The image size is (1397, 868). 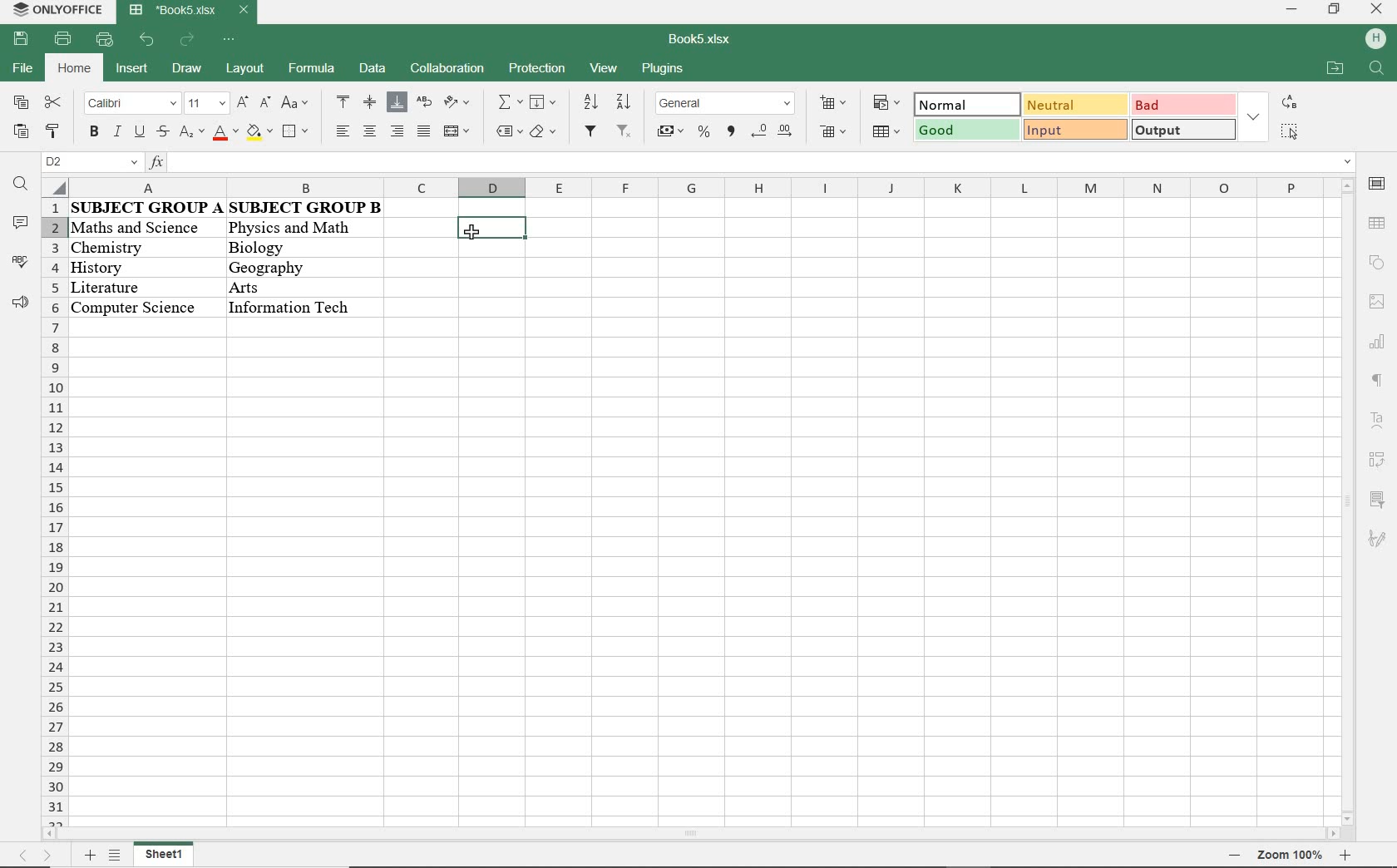 What do you see at coordinates (230, 208) in the screenshot?
I see `data` at bounding box center [230, 208].